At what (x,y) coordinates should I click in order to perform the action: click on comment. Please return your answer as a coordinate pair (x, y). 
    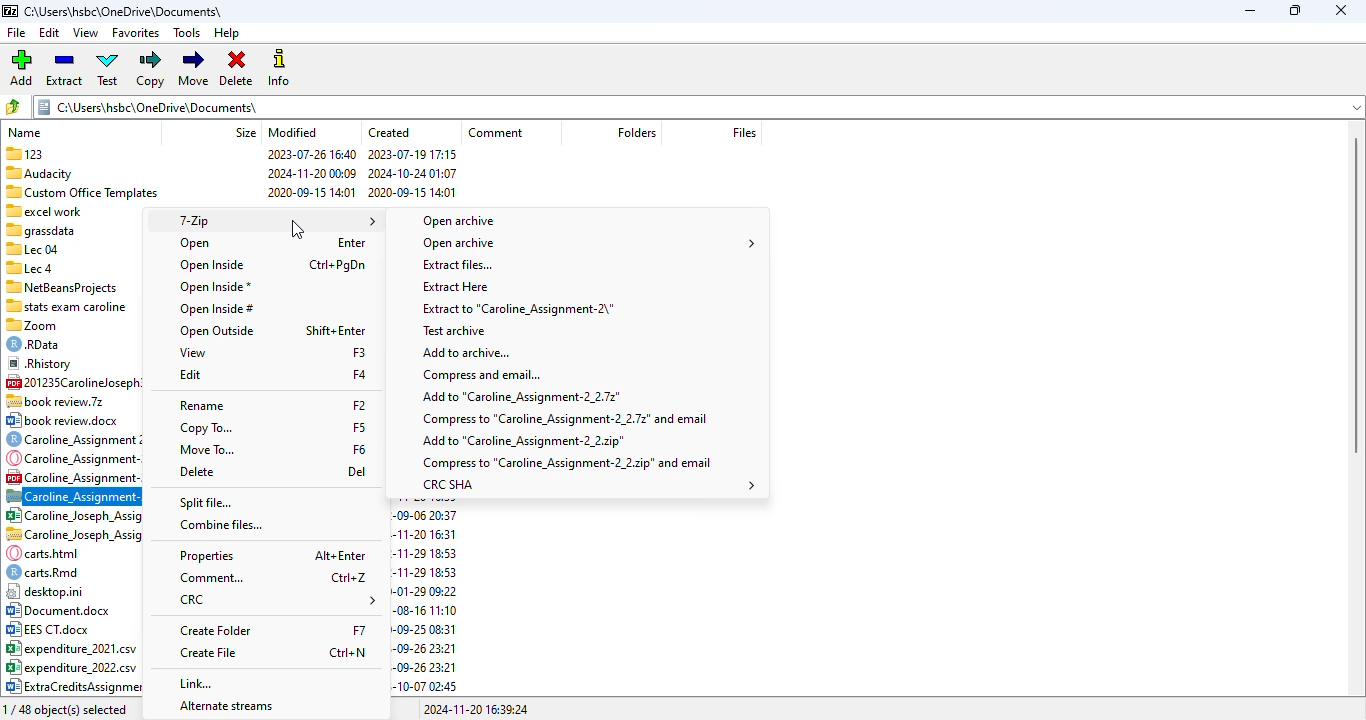
    Looking at the image, I should click on (212, 578).